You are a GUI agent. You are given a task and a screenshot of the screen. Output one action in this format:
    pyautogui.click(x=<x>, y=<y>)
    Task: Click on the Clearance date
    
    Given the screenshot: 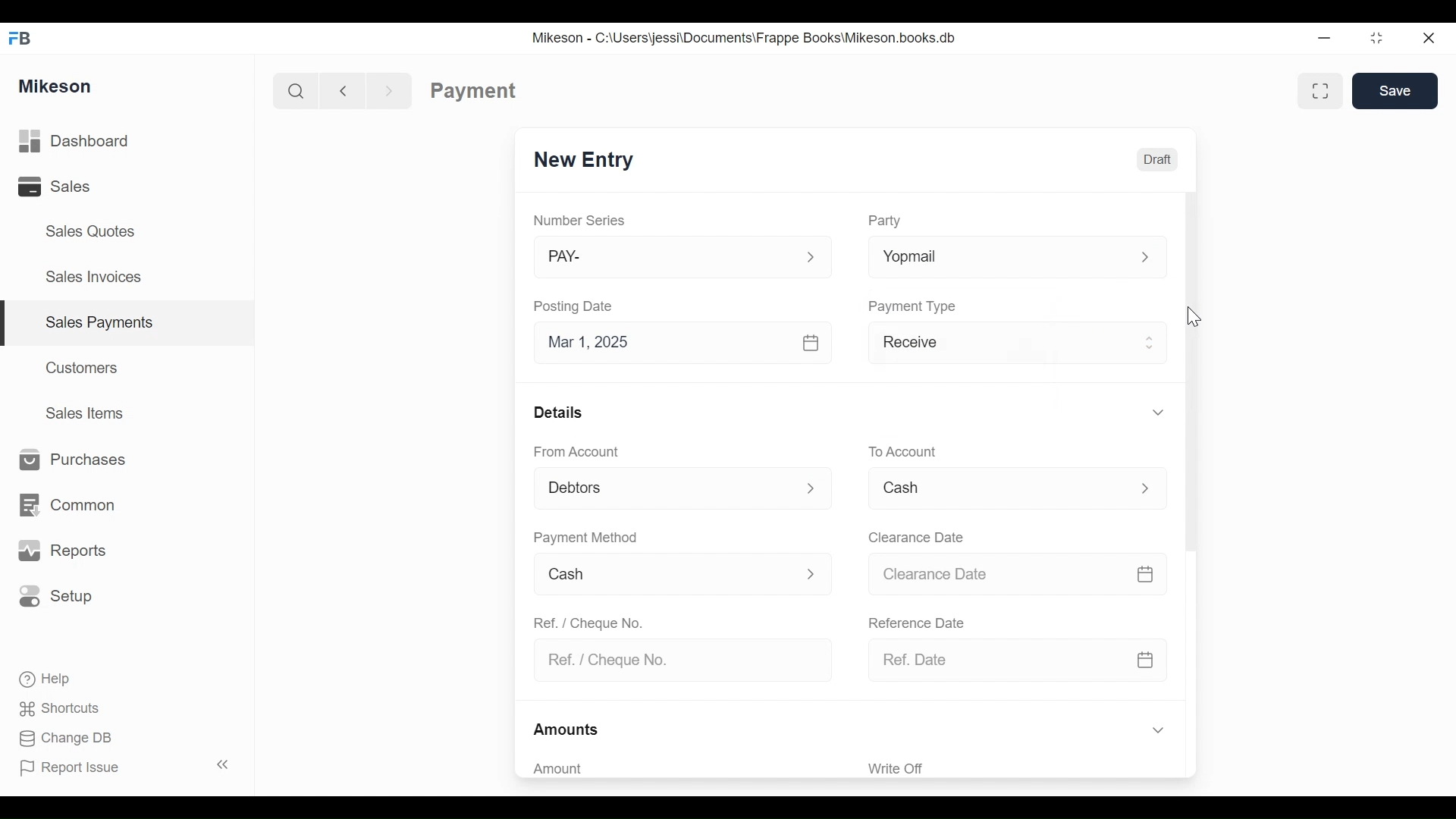 What is the action you would take?
    pyautogui.click(x=921, y=536)
    